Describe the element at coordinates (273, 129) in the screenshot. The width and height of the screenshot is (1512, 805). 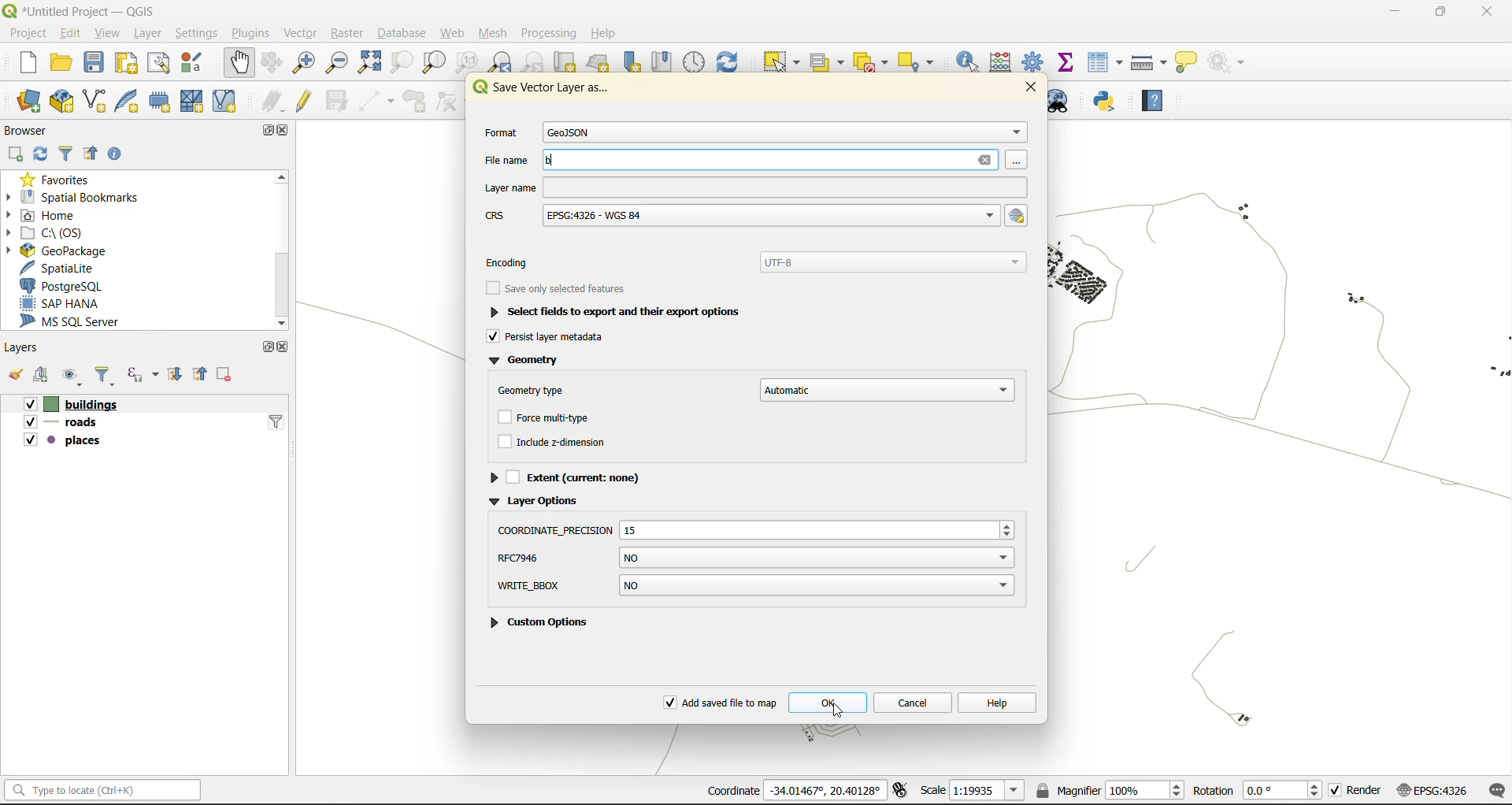
I see `maximize` at that location.